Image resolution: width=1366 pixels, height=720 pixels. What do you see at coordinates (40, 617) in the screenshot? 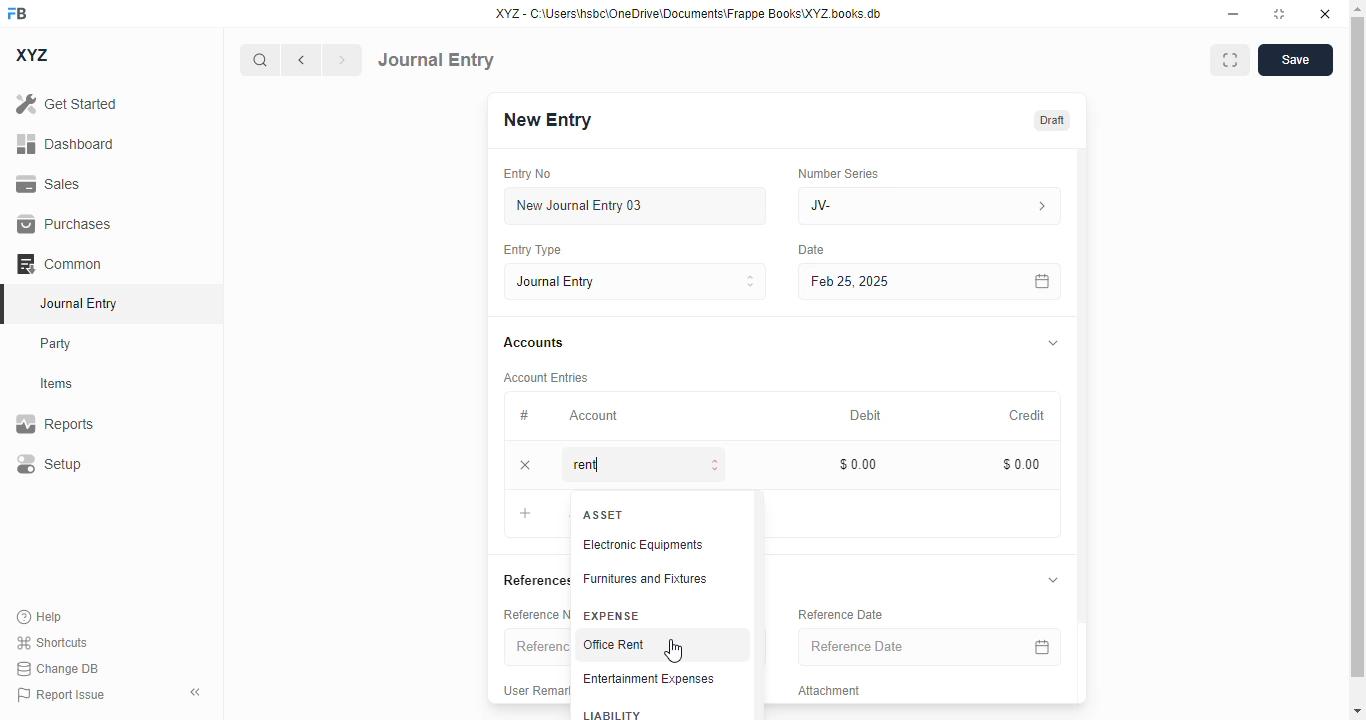
I see `help` at bounding box center [40, 617].